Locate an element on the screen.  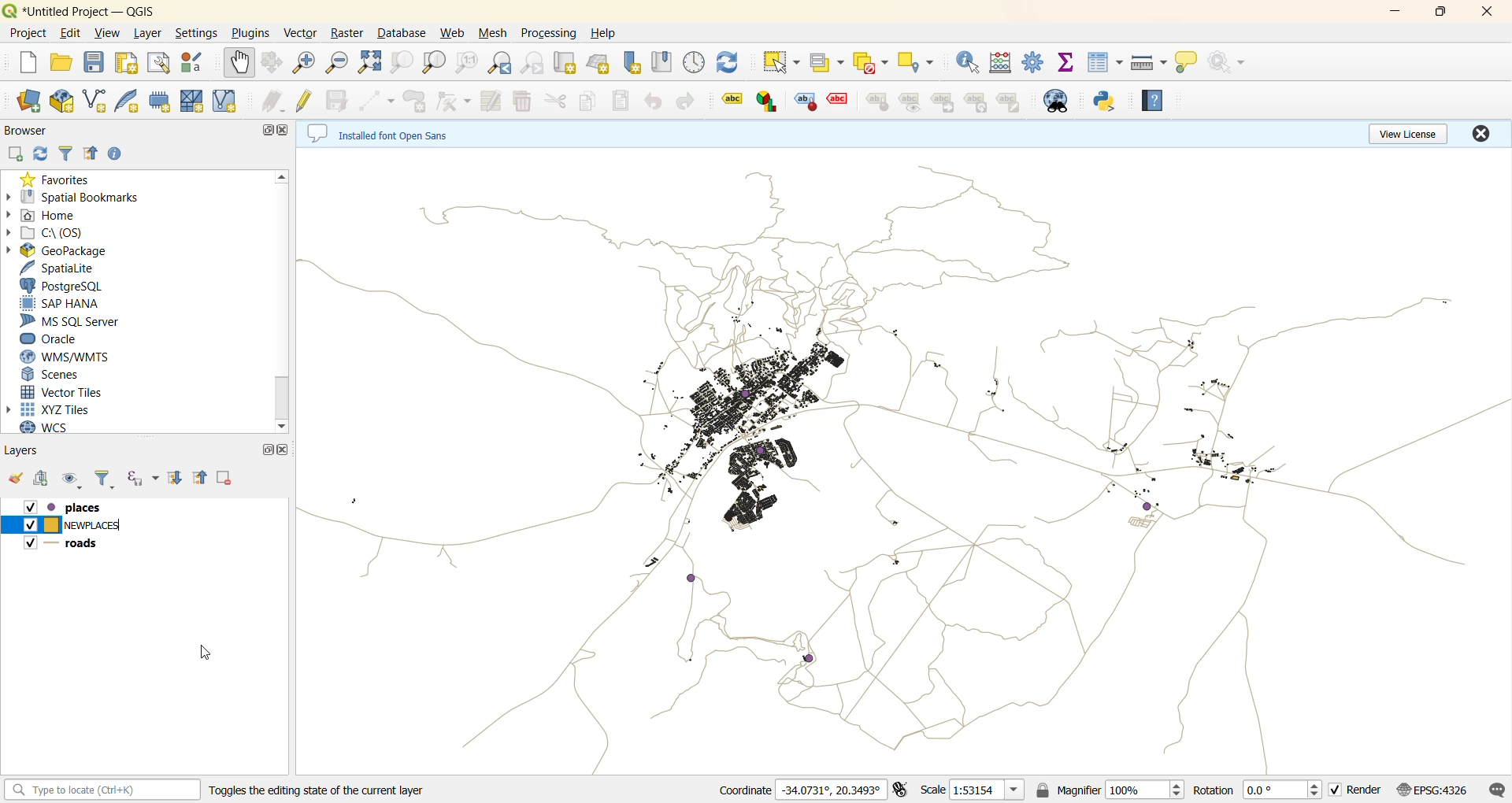
select location is located at coordinates (914, 60).